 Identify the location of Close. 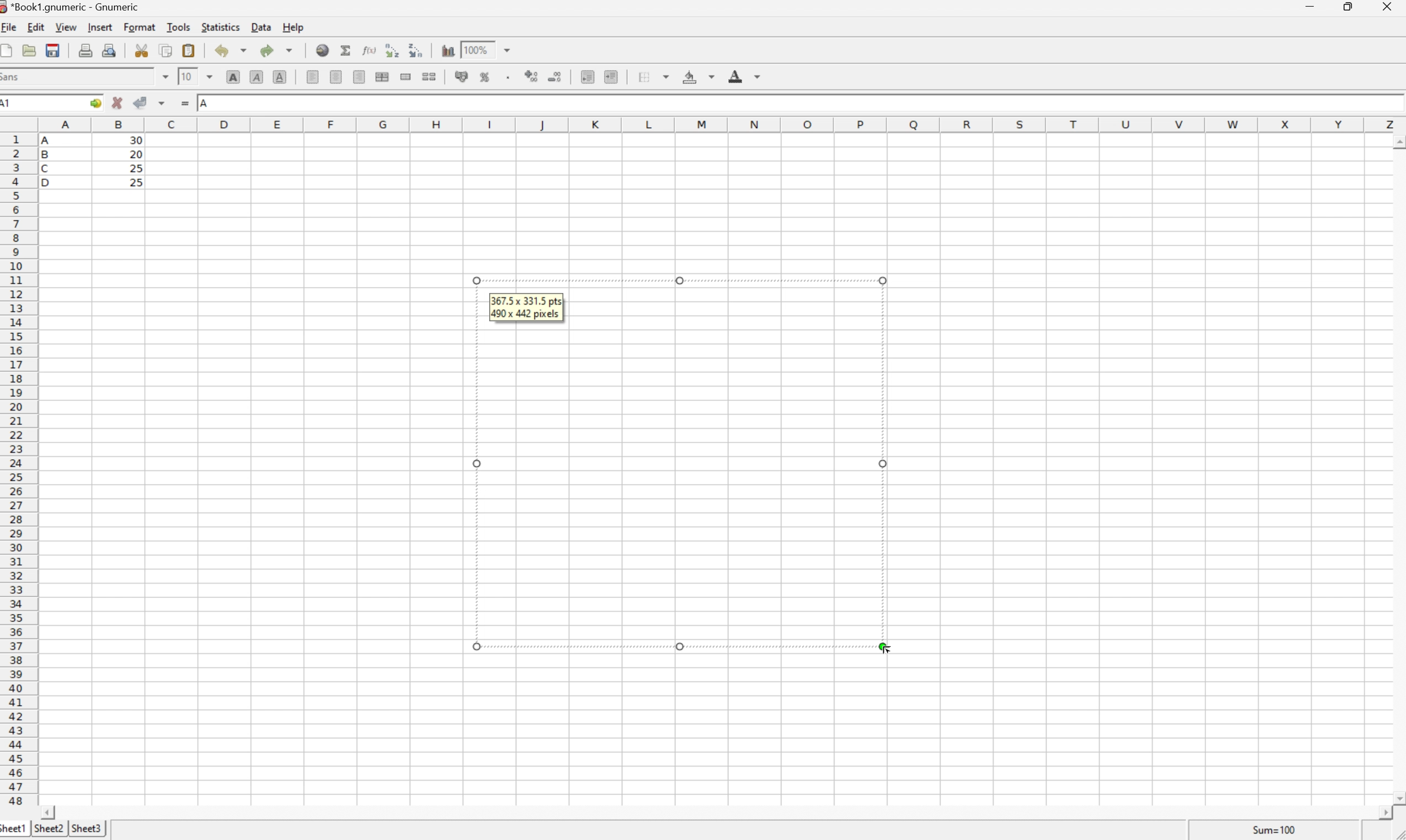
(1388, 7).